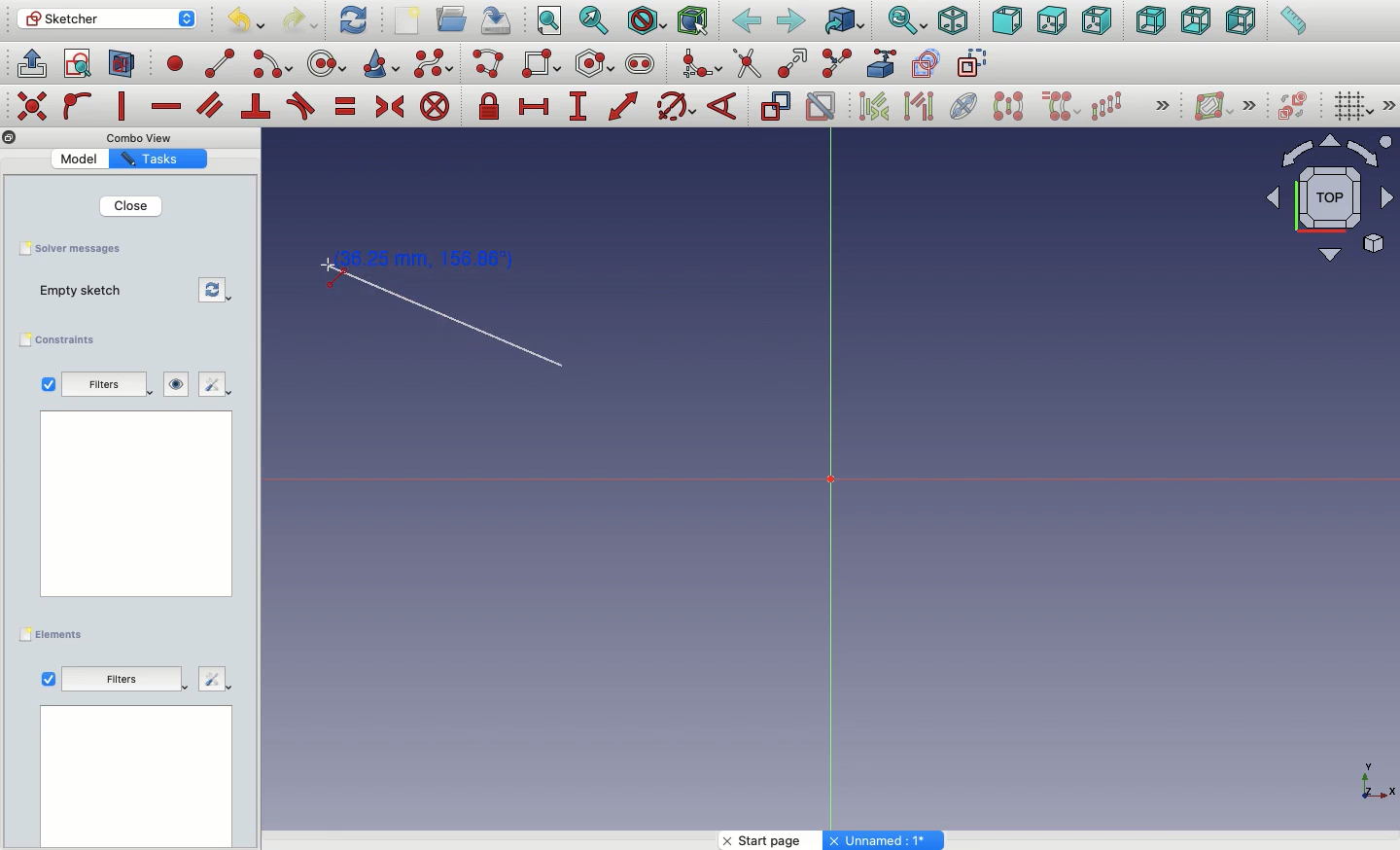  I want to click on Constrain block, so click(435, 108).